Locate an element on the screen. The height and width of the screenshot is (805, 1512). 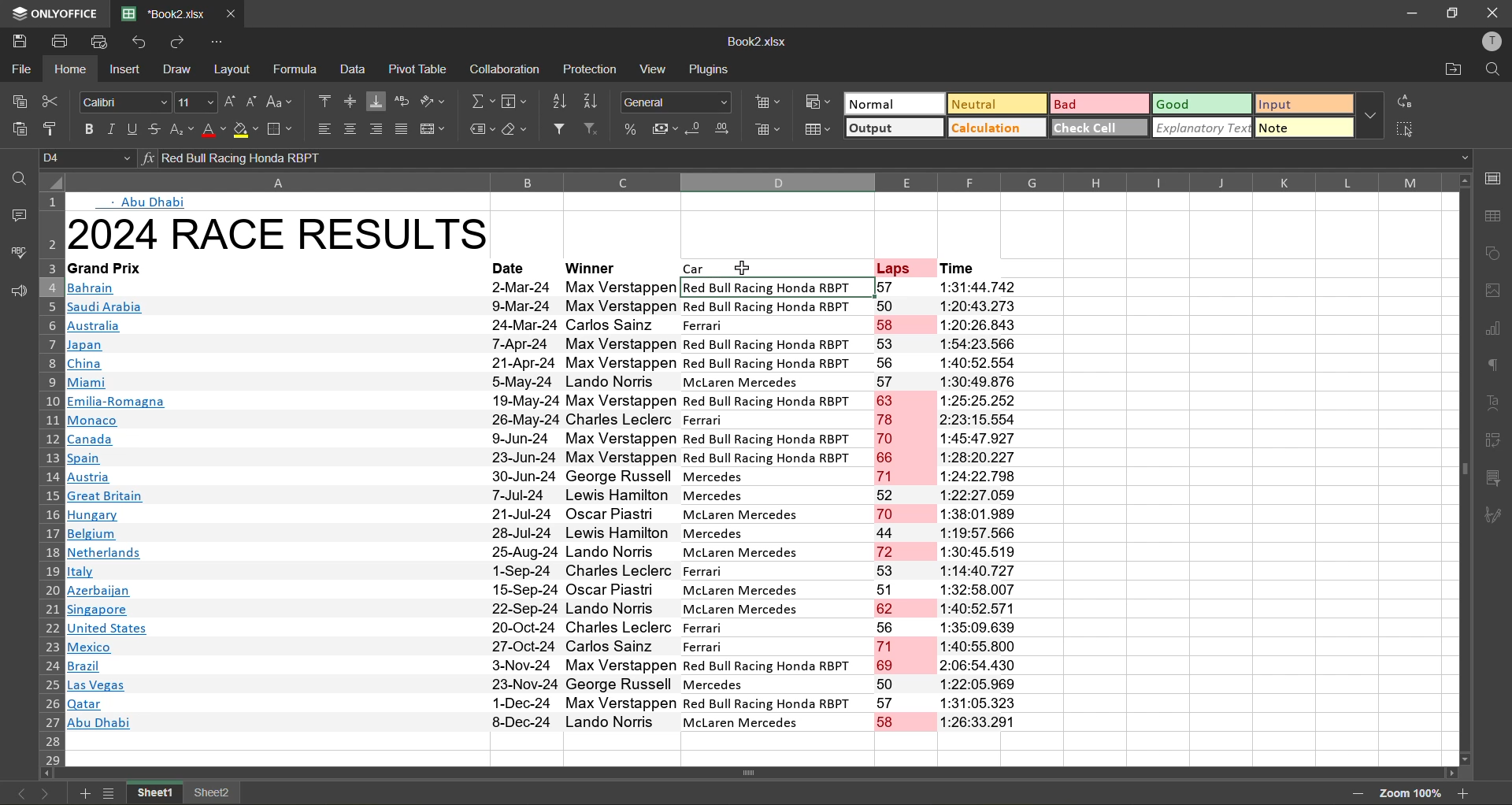
fields is located at coordinates (519, 106).